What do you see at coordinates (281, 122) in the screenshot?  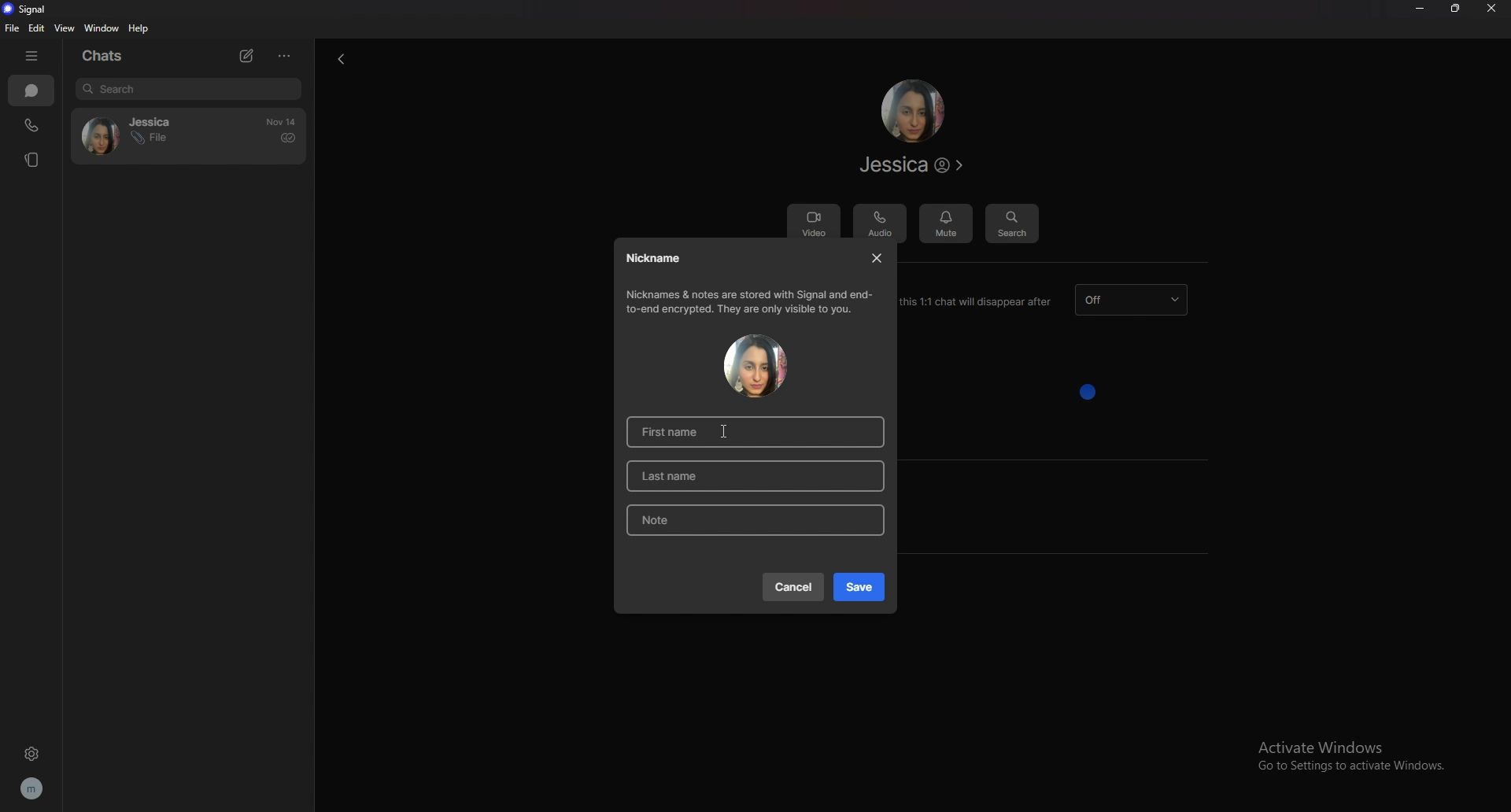 I see `time` at bounding box center [281, 122].